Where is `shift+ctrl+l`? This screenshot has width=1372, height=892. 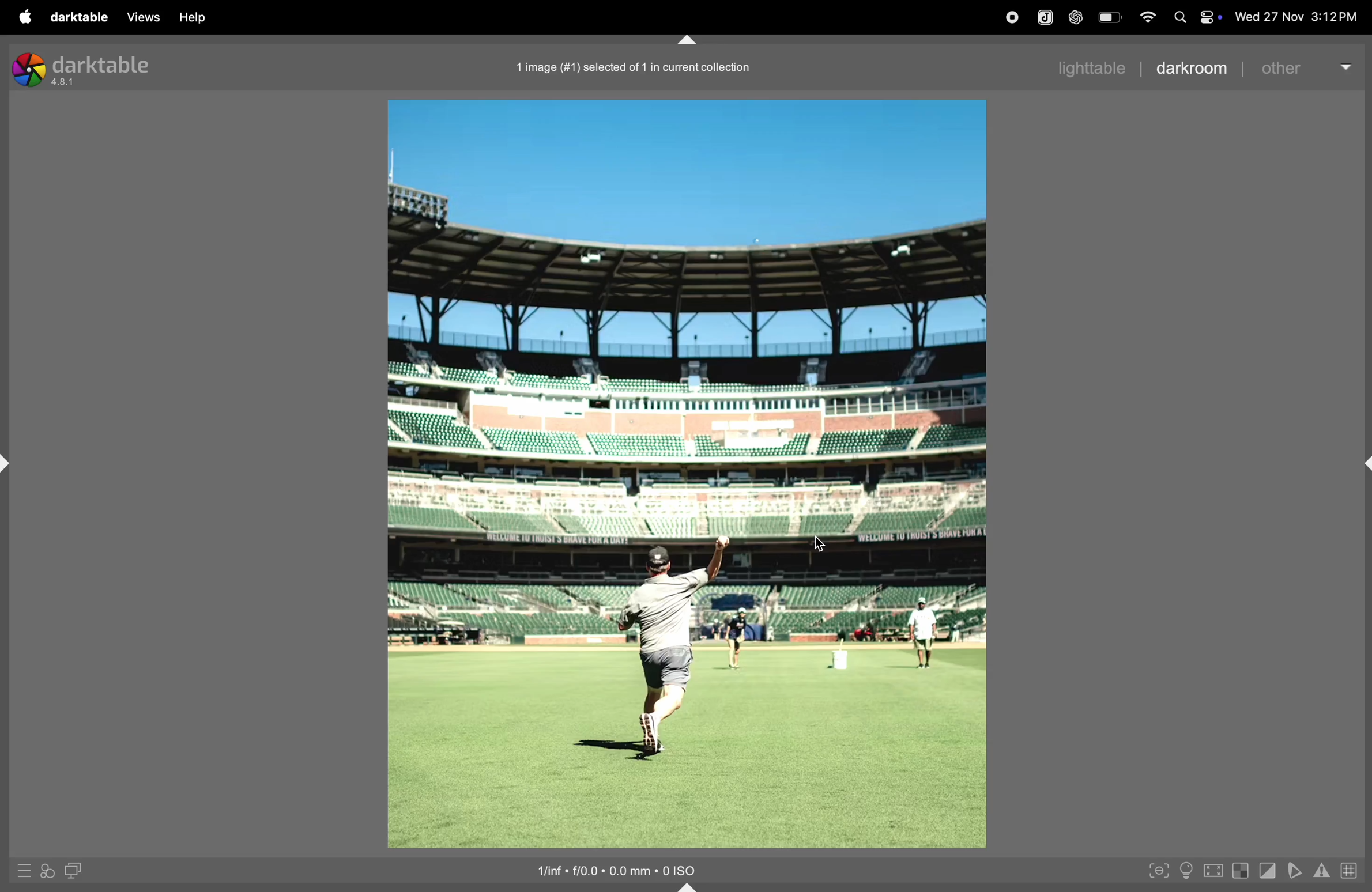 shift+ctrl+l is located at coordinates (9, 464).